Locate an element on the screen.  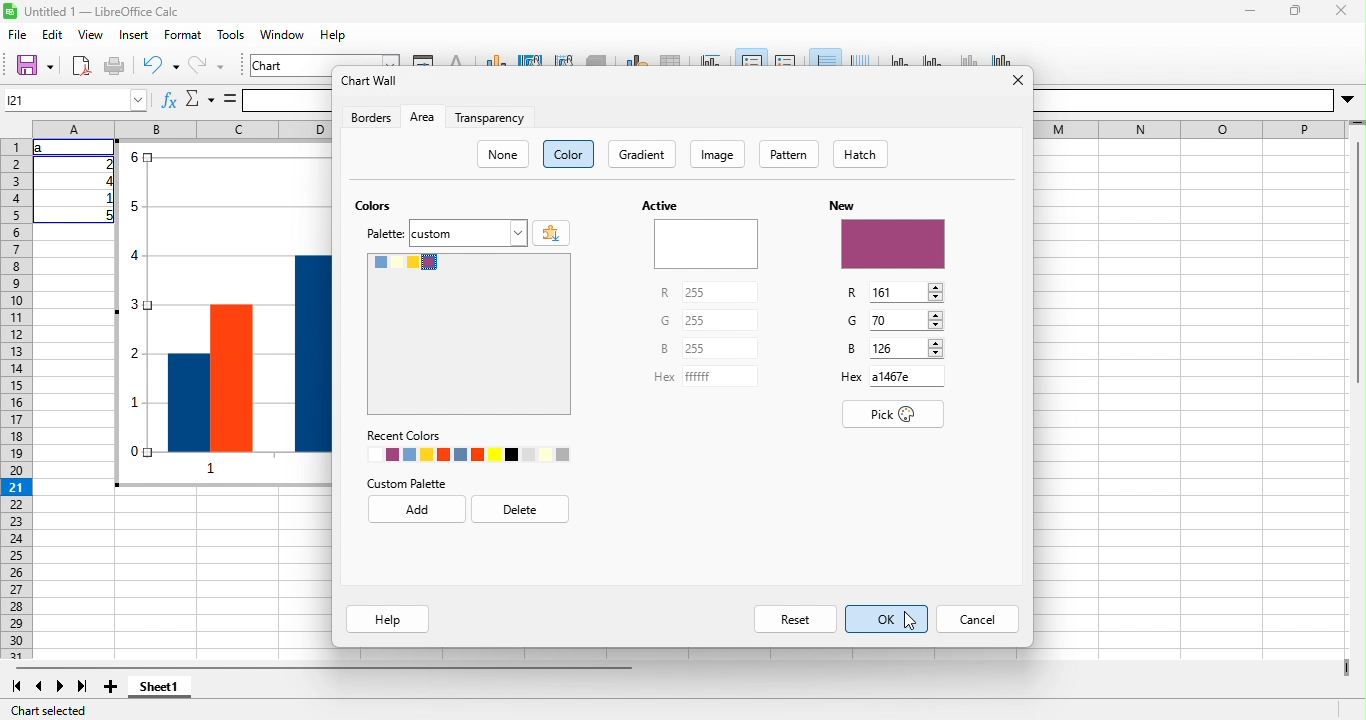
format selection is located at coordinates (423, 59).